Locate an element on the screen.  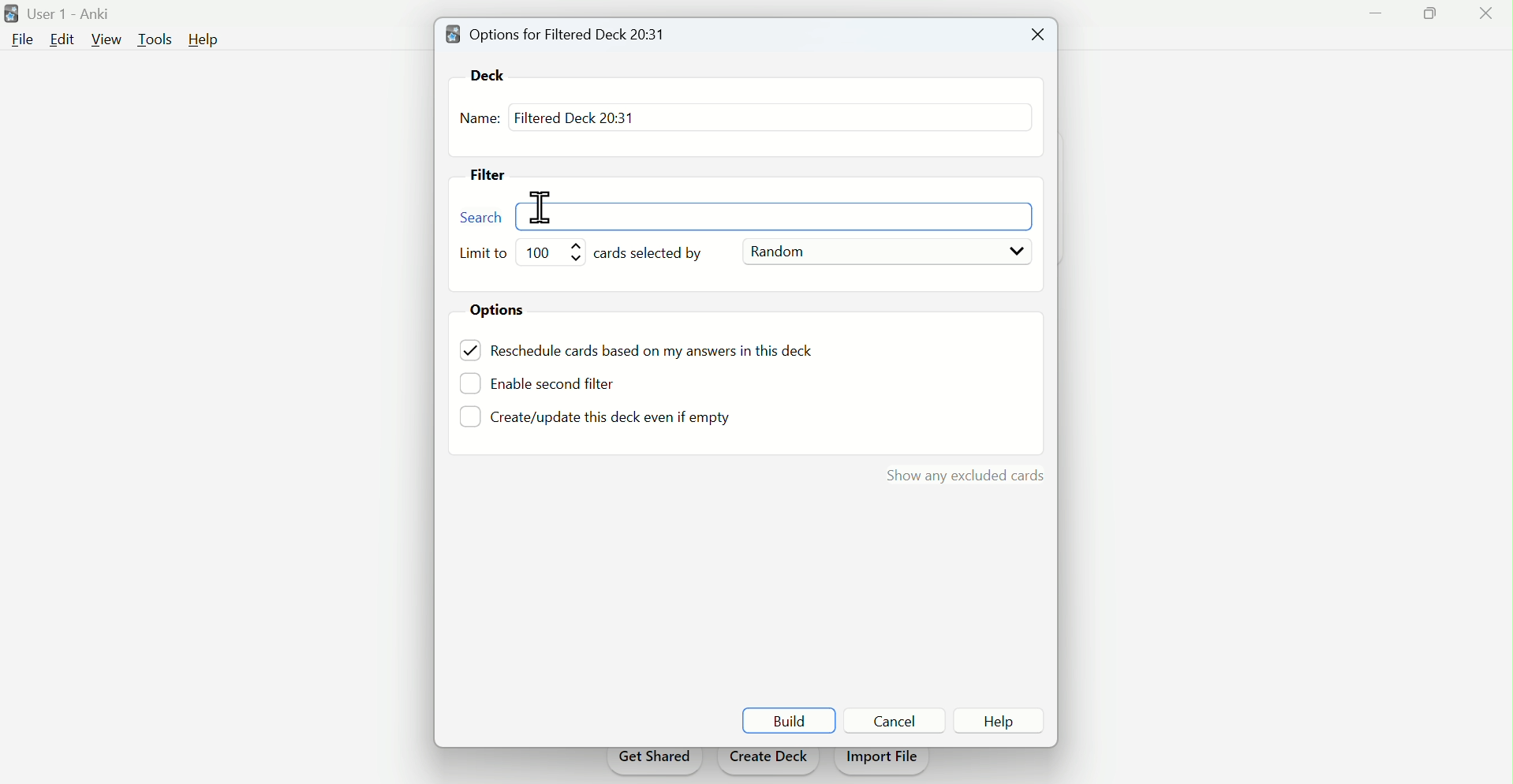
Options is located at coordinates (504, 312).